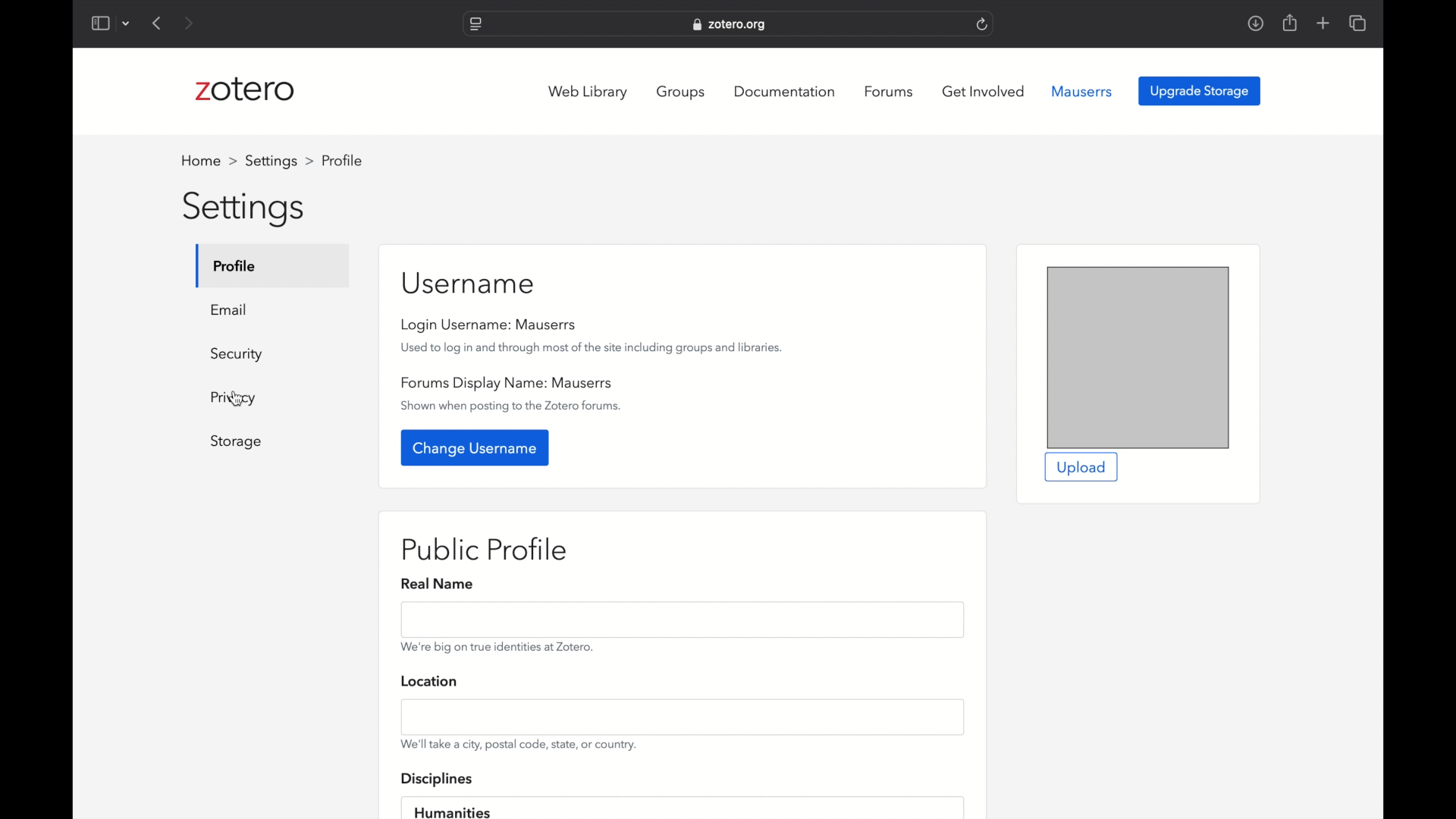 Image resolution: width=1456 pixels, height=819 pixels. Describe the element at coordinates (587, 93) in the screenshot. I see `web library` at that location.